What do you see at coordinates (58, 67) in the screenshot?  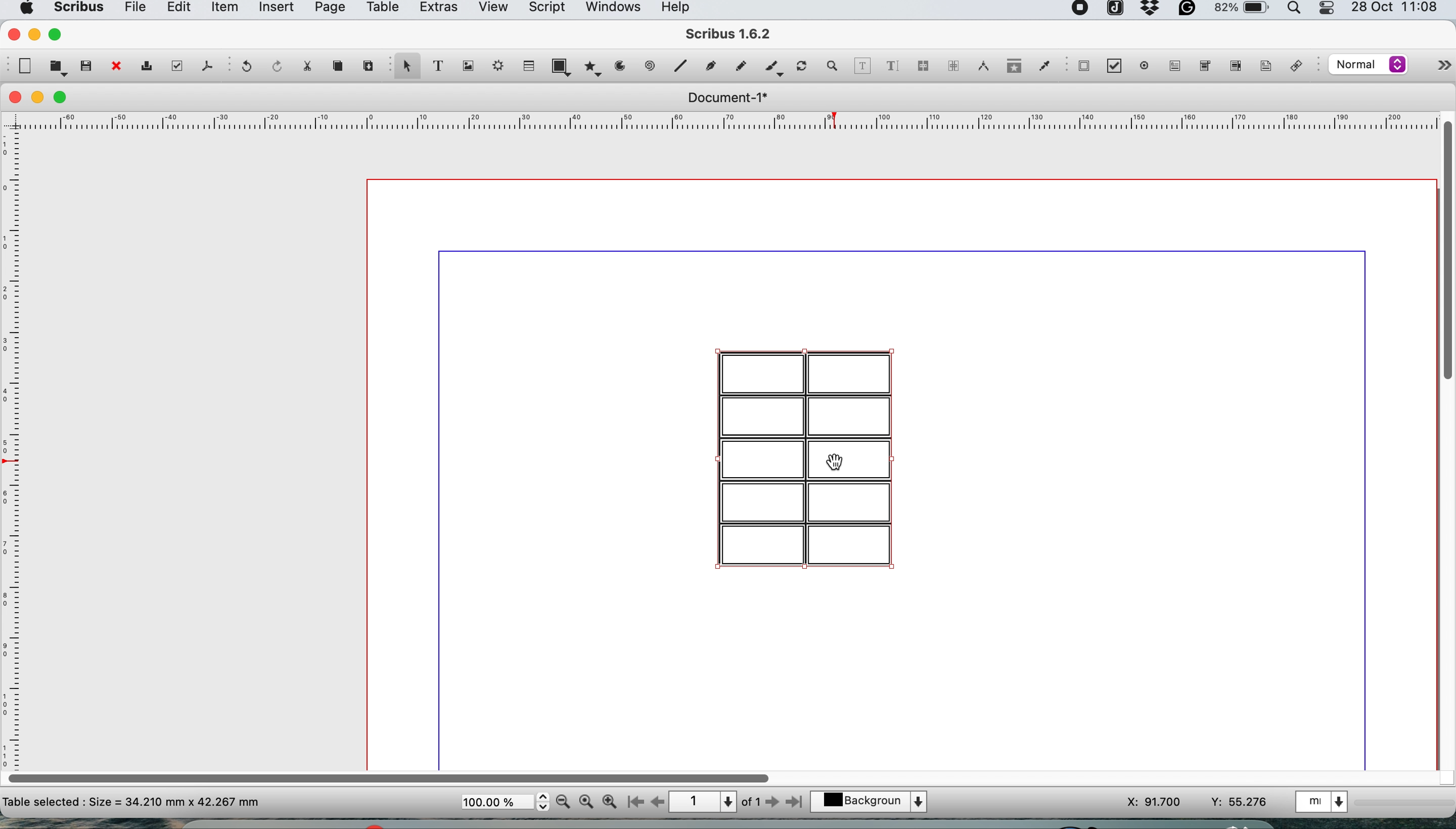 I see `open` at bounding box center [58, 67].